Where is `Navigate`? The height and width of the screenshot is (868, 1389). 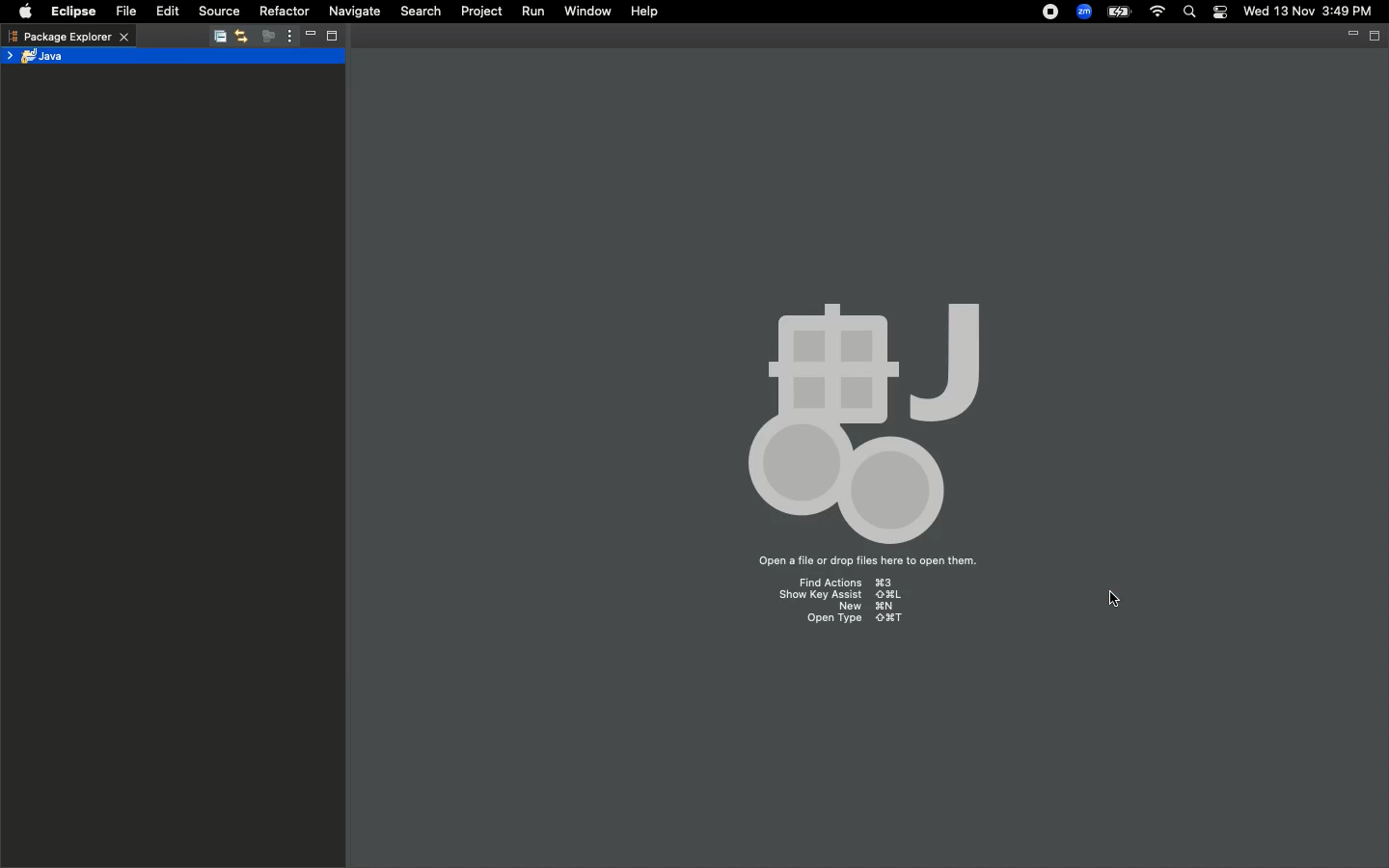 Navigate is located at coordinates (354, 14).